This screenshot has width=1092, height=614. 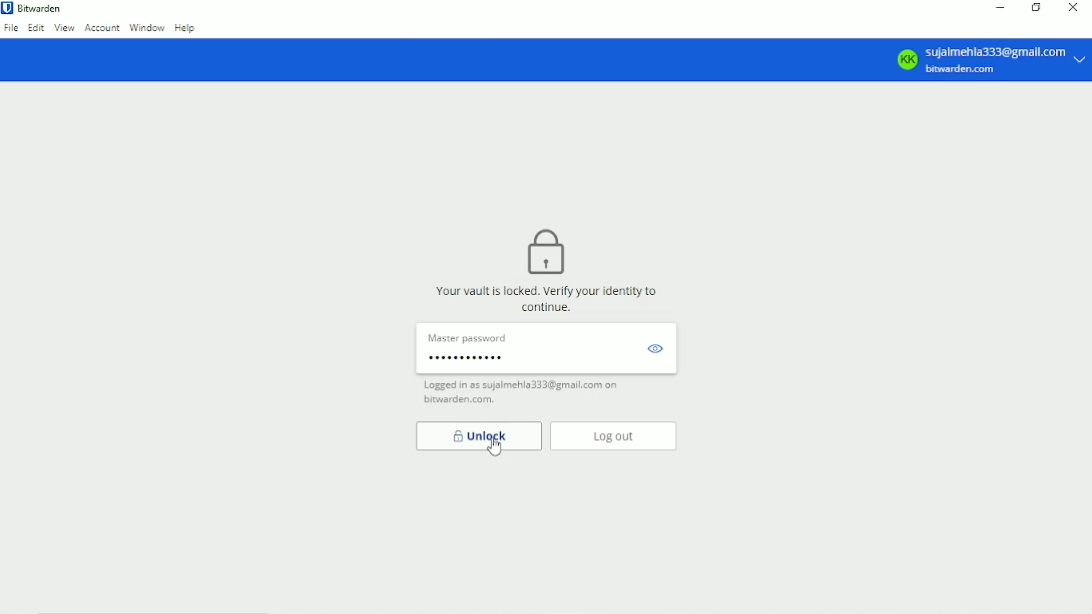 What do you see at coordinates (548, 298) in the screenshot?
I see `Your vault is locked. verify your identity to continue.` at bounding box center [548, 298].